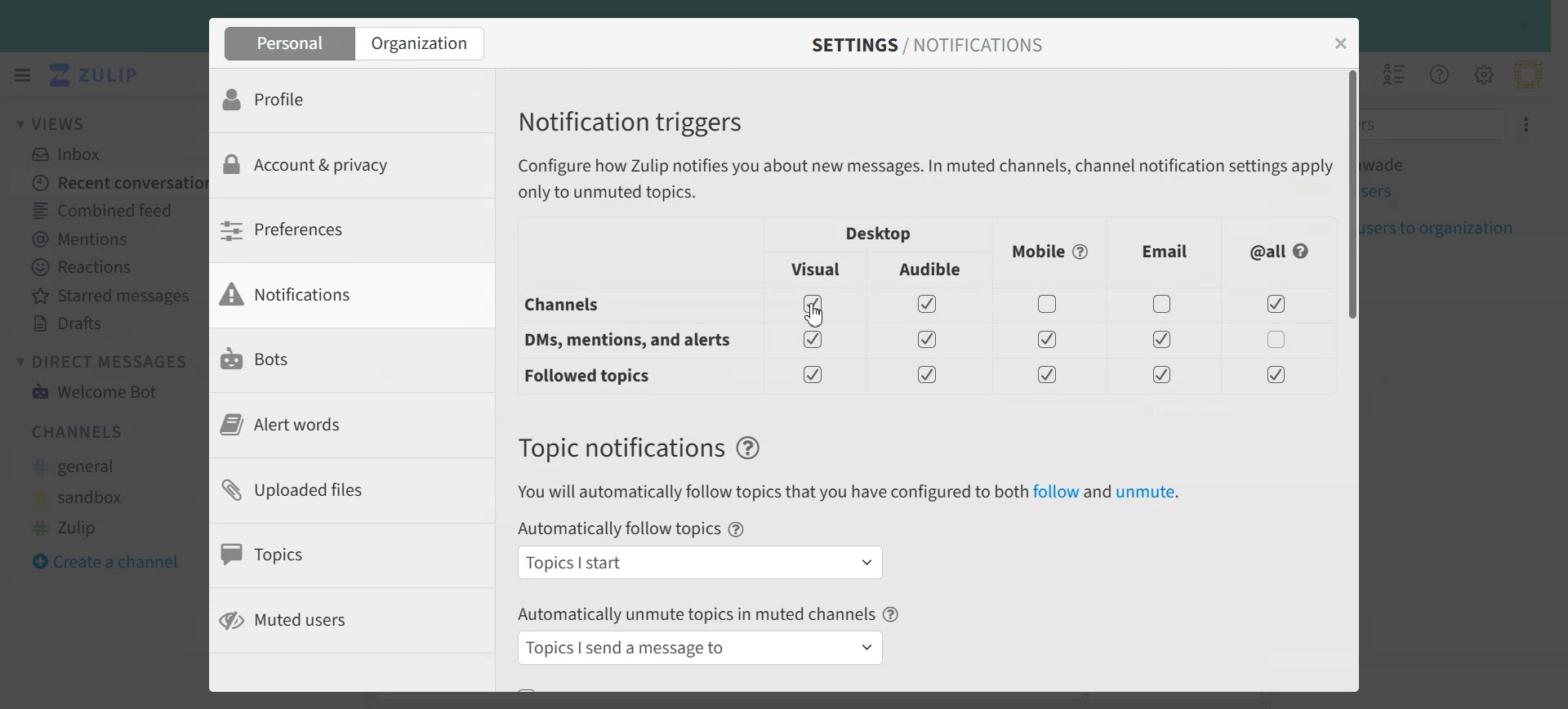 The width and height of the screenshot is (1568, 709). Describe the element at coordinates (703, 648) in the screenshot. I see `Topics I send a message to ` at that location.